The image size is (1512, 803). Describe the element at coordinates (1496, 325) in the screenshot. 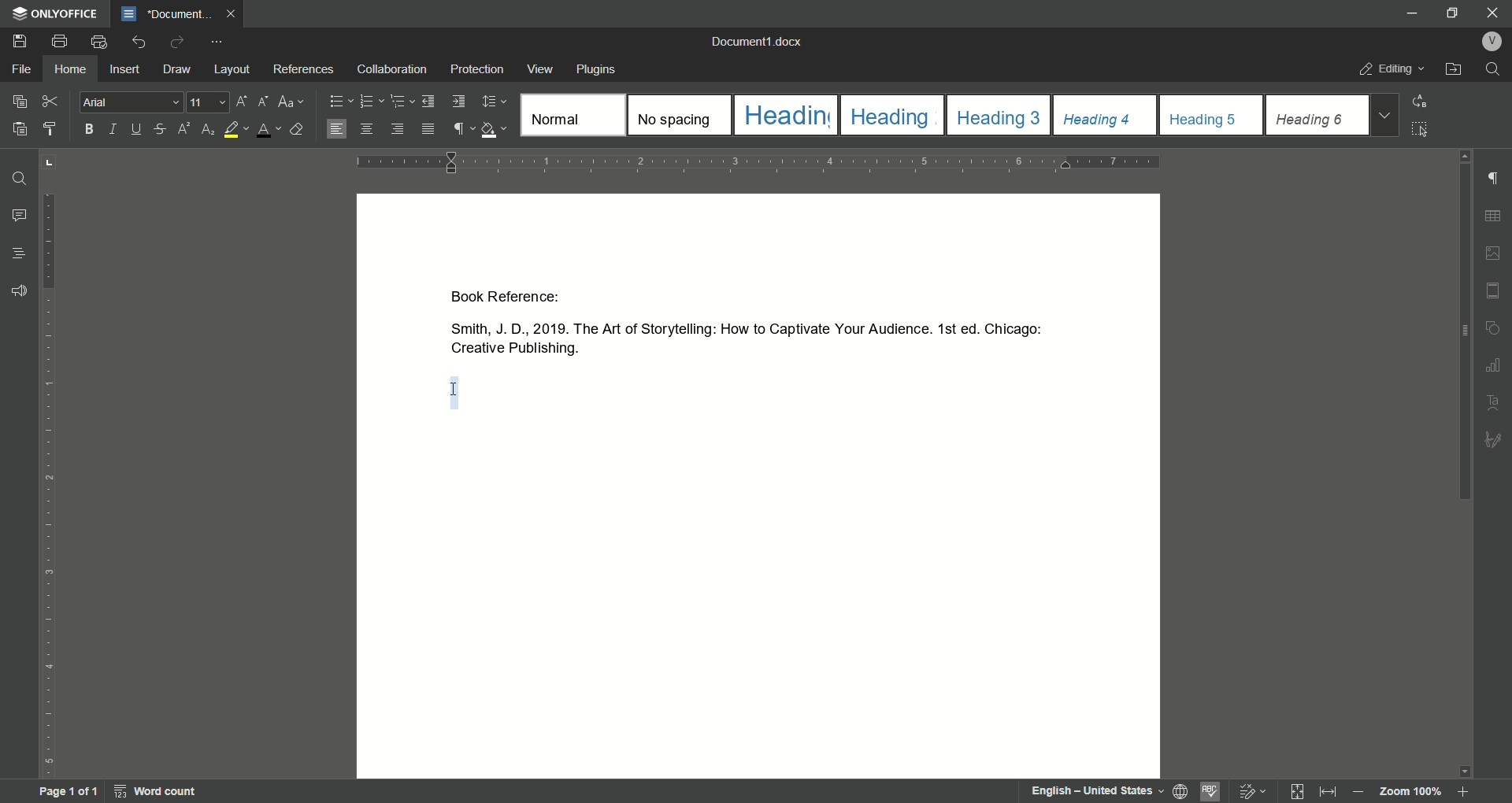

I see `shapes` at that location.